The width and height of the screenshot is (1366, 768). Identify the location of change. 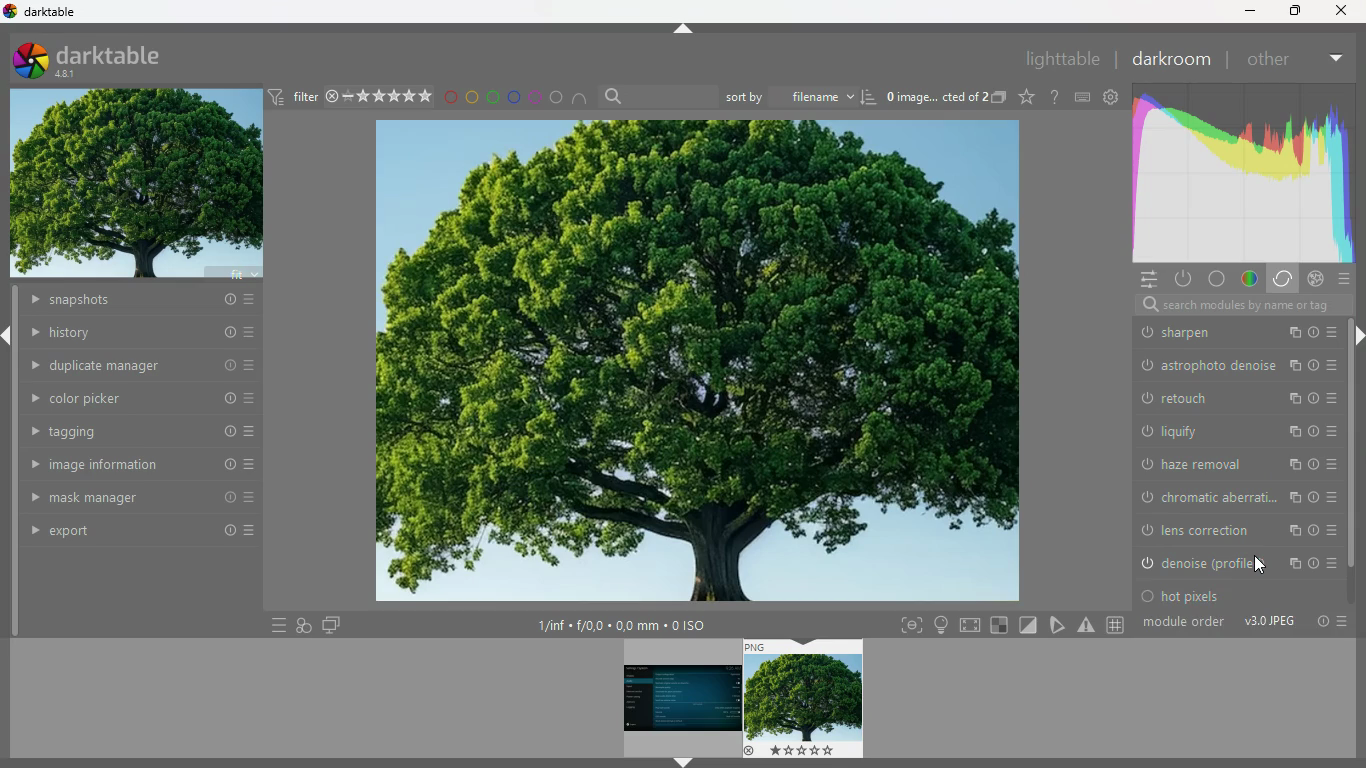
(1334, 329).